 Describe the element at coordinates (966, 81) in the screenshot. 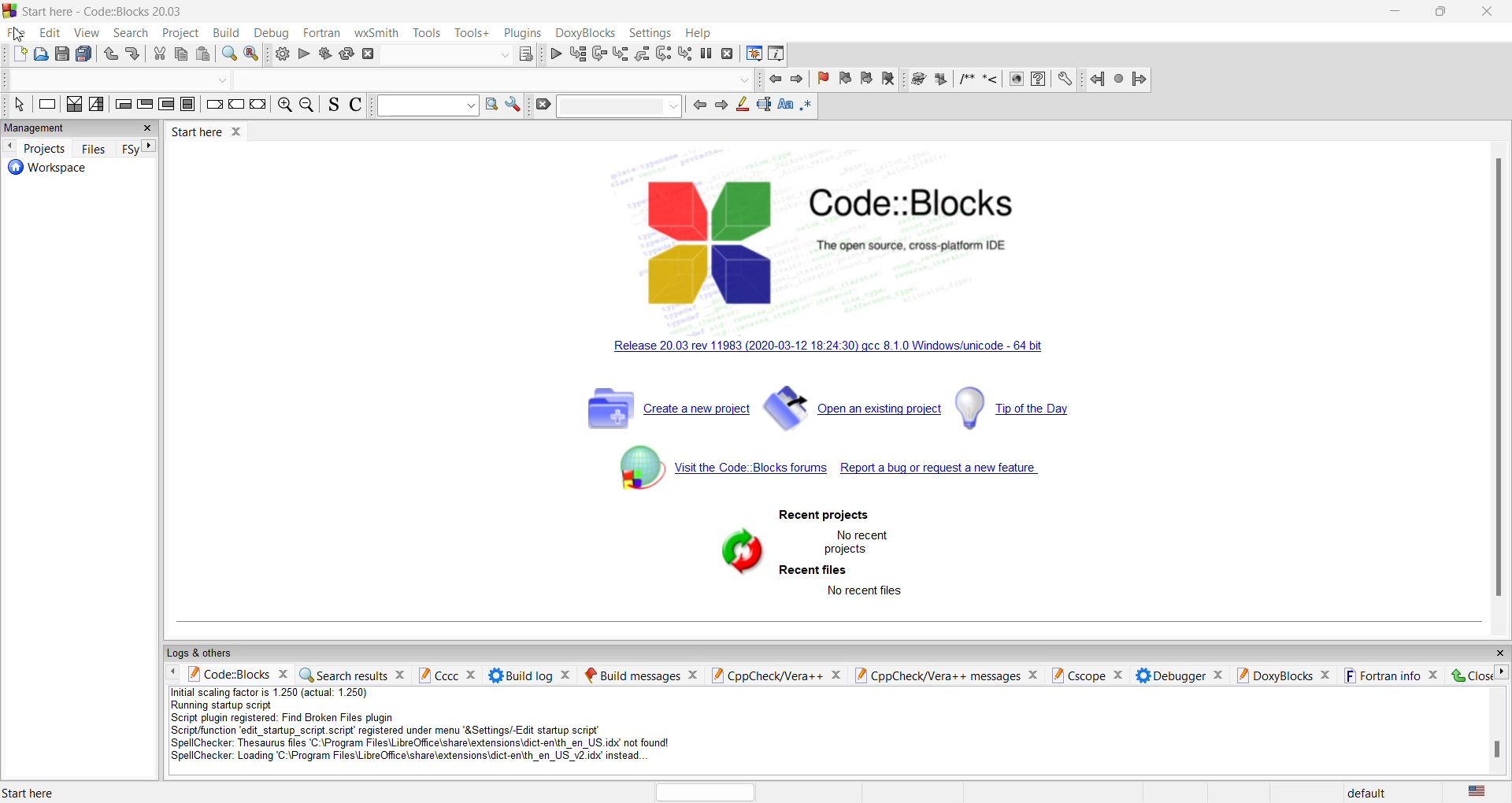

I see `multiline comment` at that location.